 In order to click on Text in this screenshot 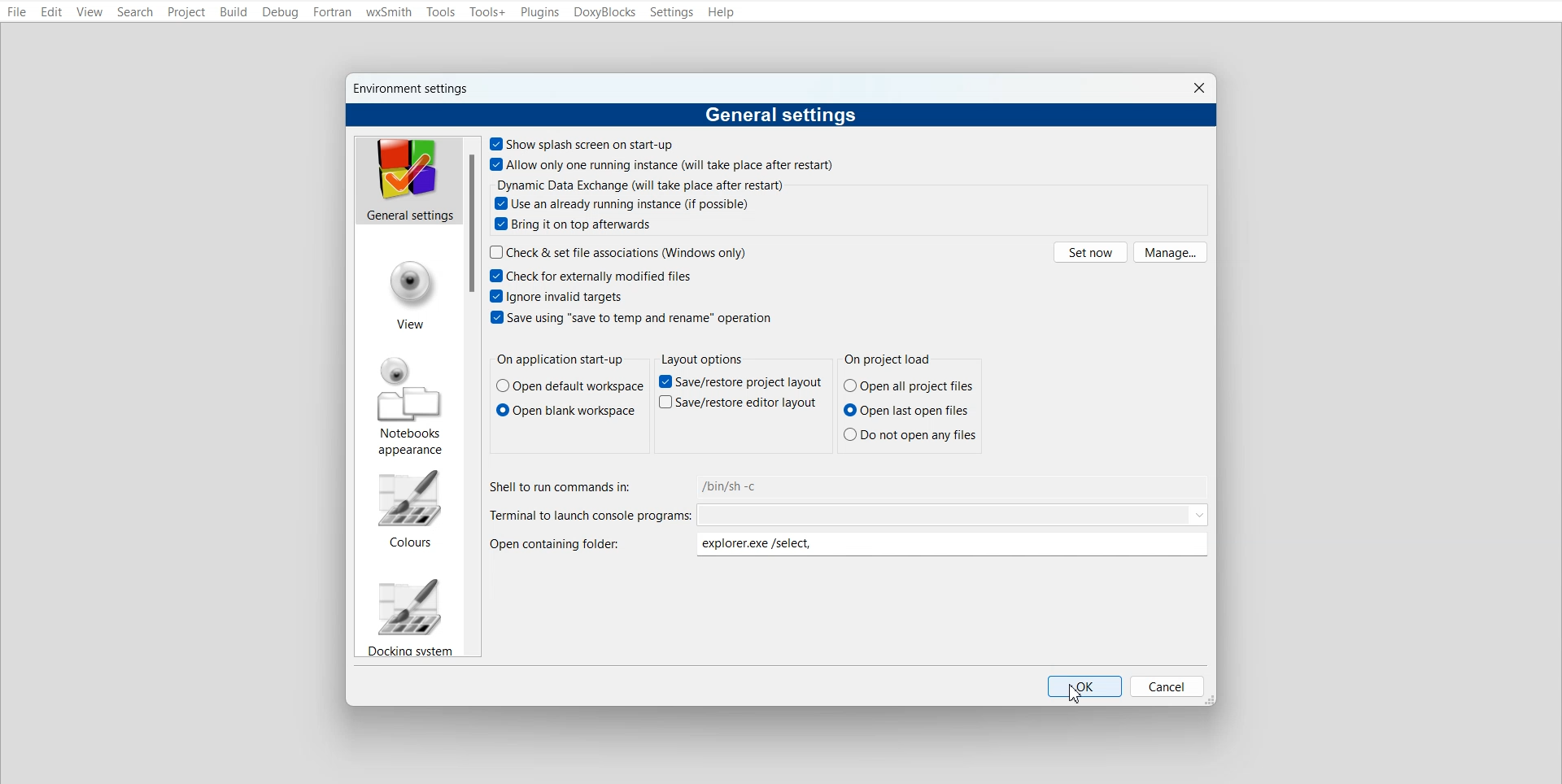, I will do `click(560, 360)`.